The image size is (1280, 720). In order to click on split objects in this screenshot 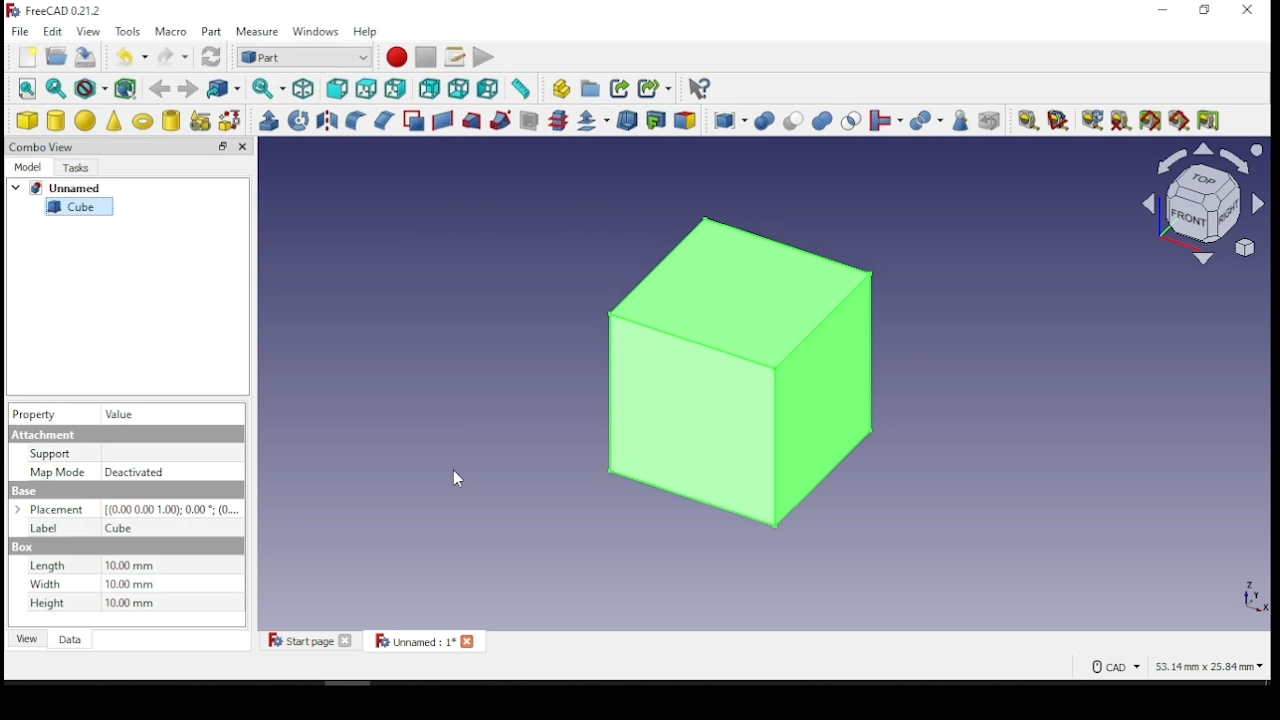, I will do `click(927, 122)`.